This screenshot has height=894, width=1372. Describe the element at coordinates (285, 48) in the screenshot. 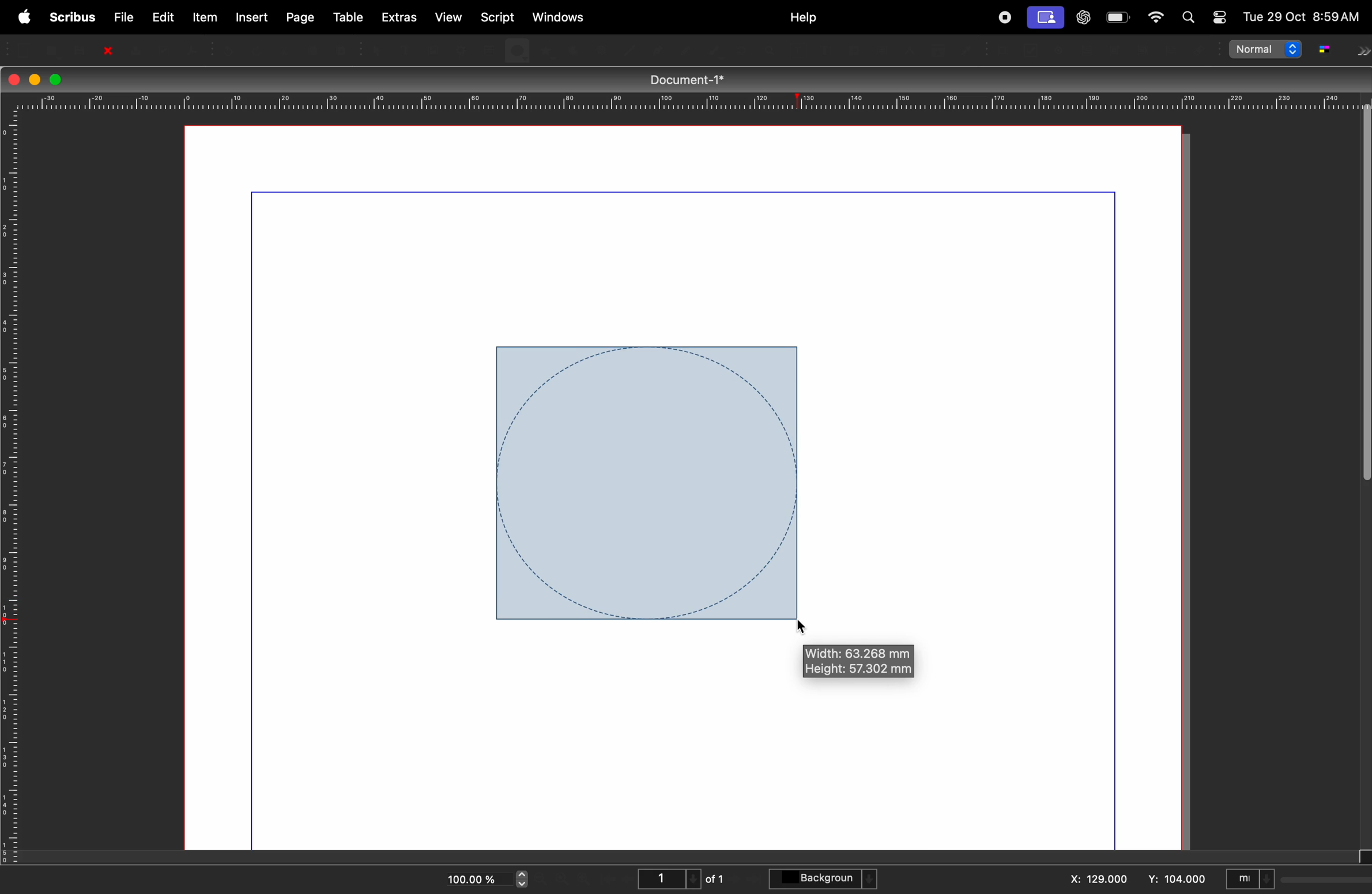

I see `Cut` at that location.